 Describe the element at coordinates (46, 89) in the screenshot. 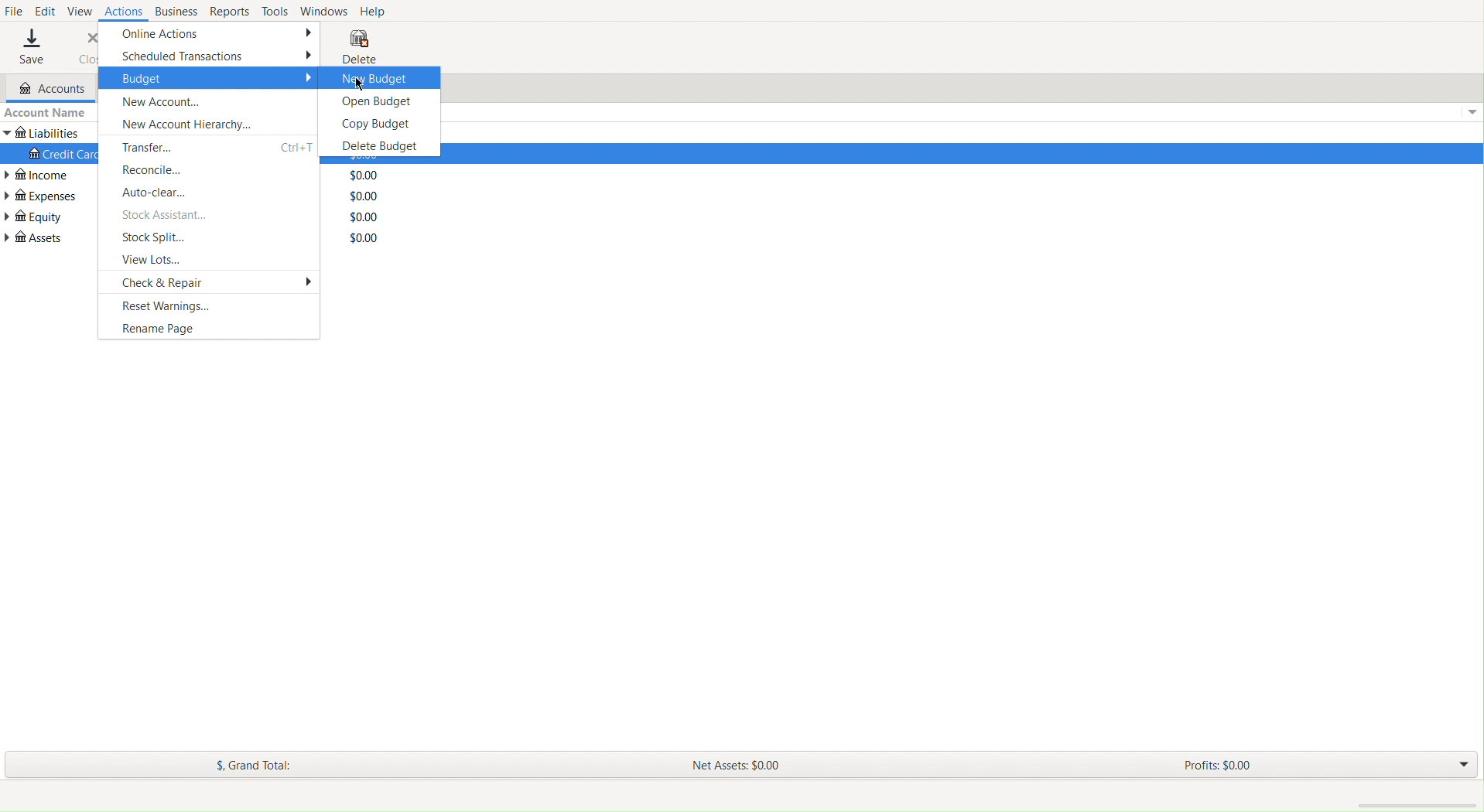

I see `Accounts` at that location.